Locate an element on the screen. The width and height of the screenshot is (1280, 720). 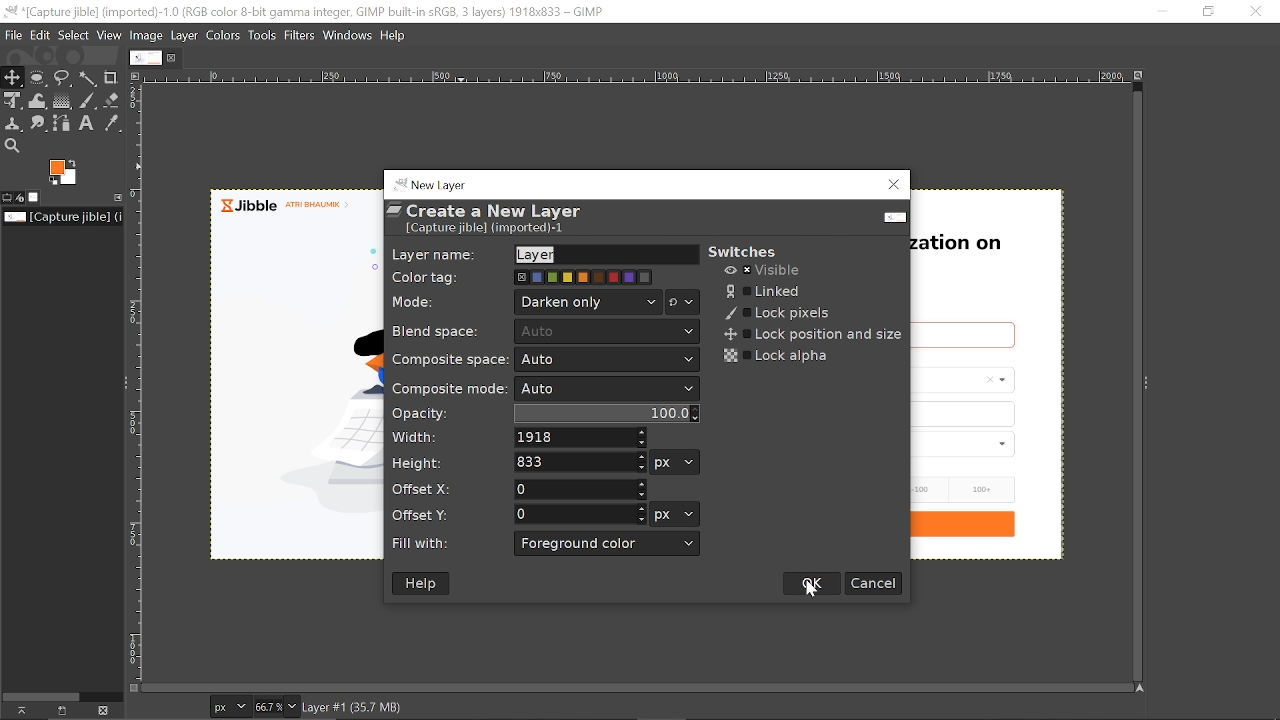
Fill with color is located at coordinates (607, 544).